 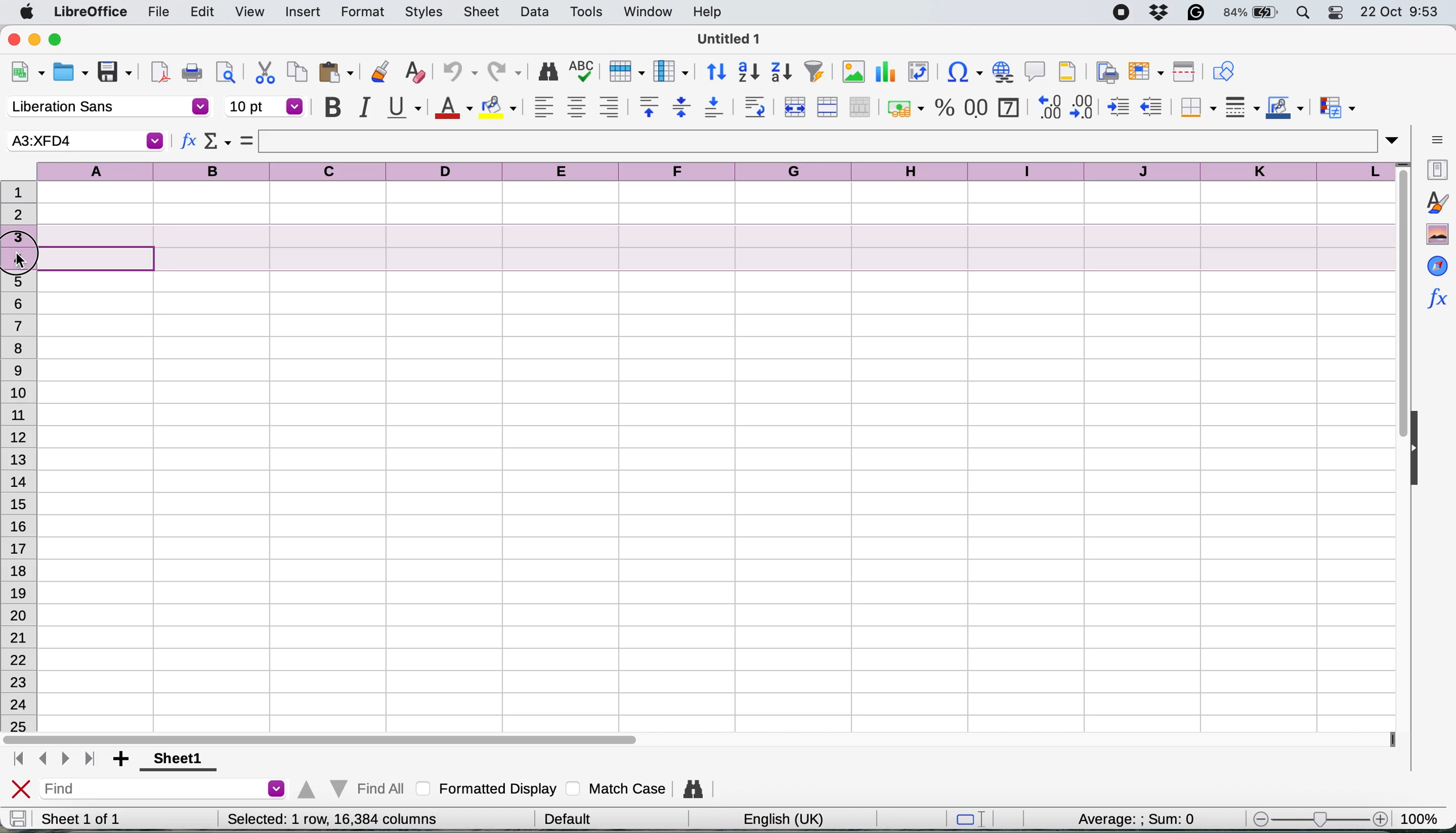 I want to click on libreoffice, so click(x=93, y=13).